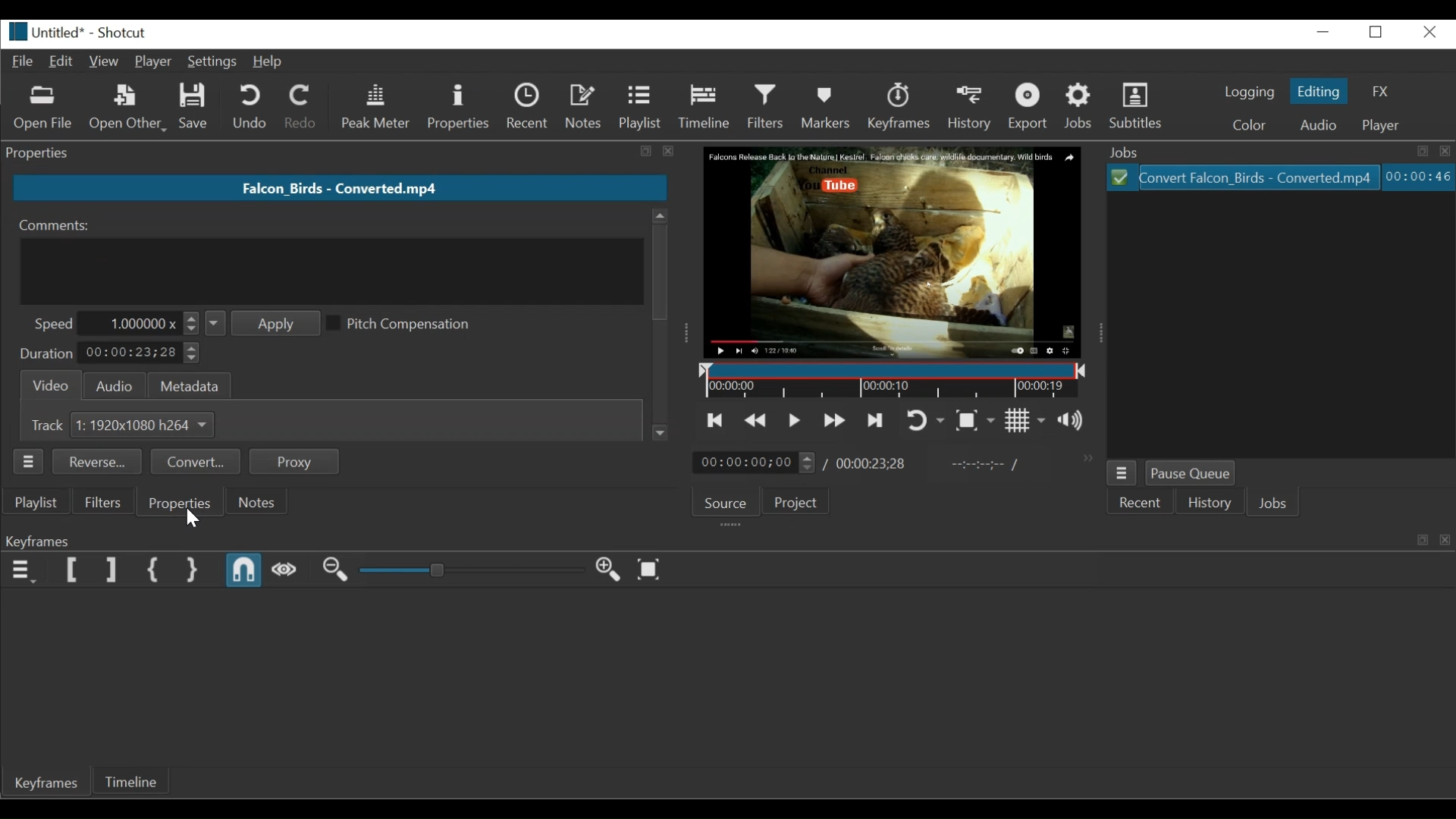 The width and height of the screenshot is (1456, 819). I want to click on File name, so click(47, 33).